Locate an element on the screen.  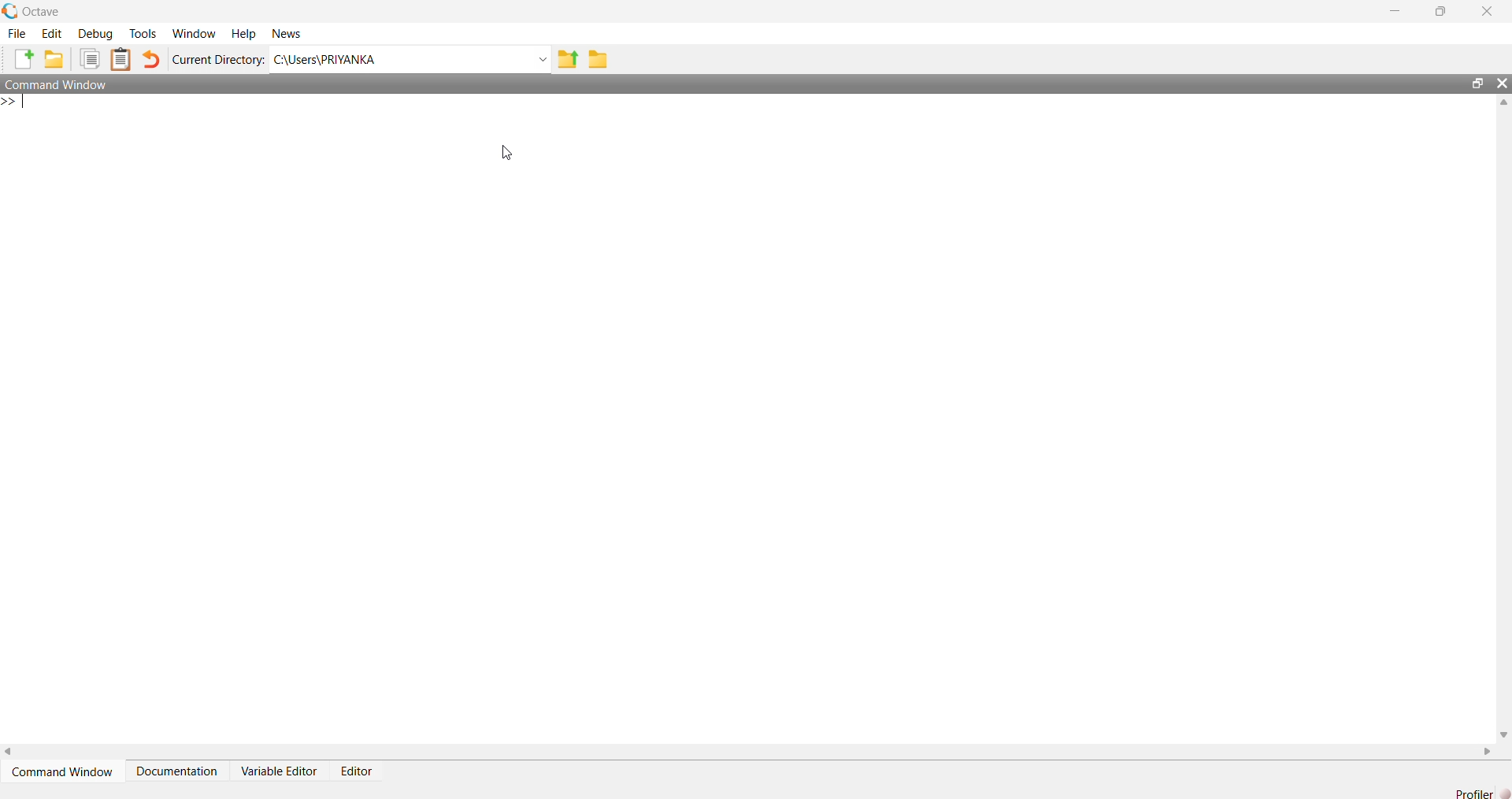
Window is located at coordinates (195, 34).